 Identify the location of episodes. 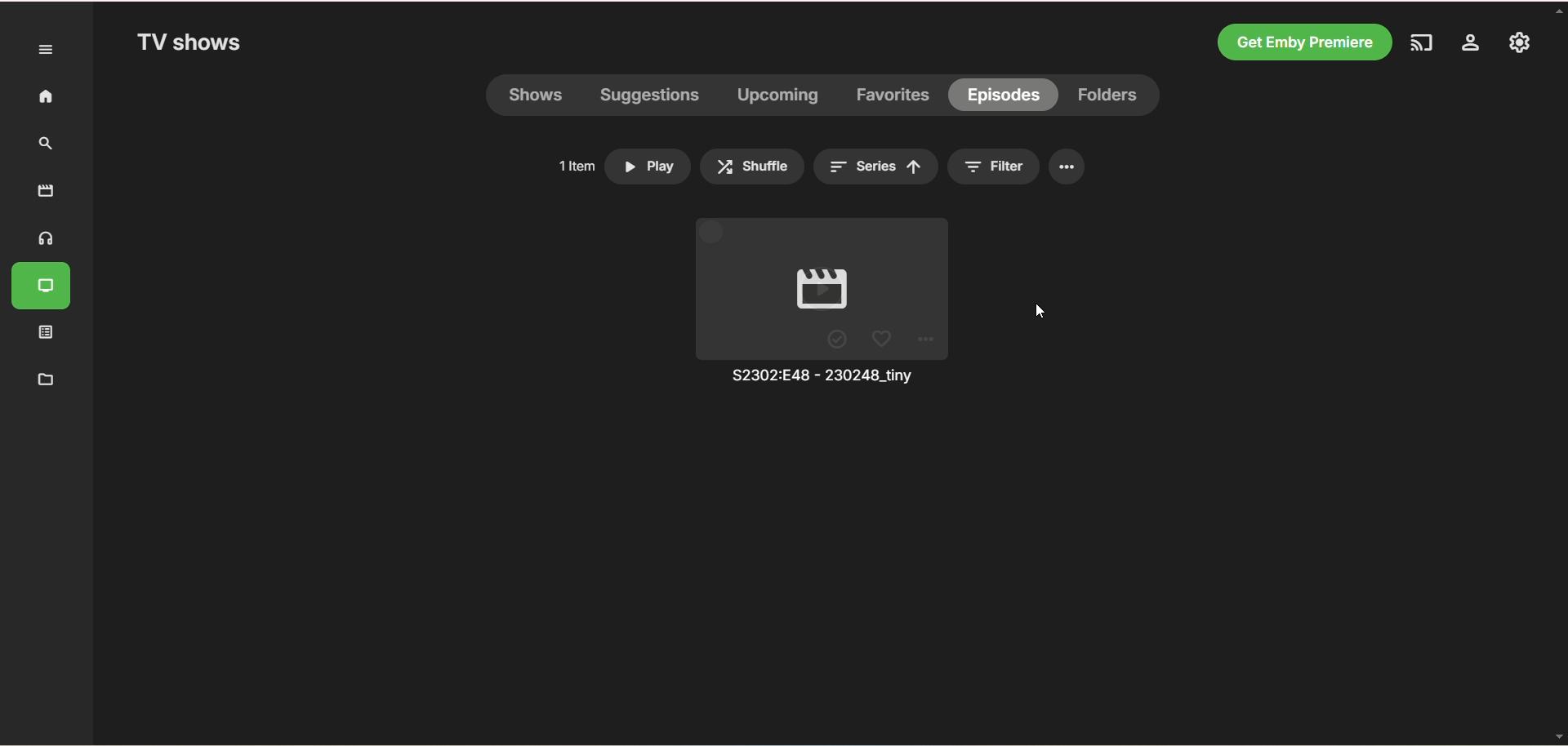
(1006, 94).